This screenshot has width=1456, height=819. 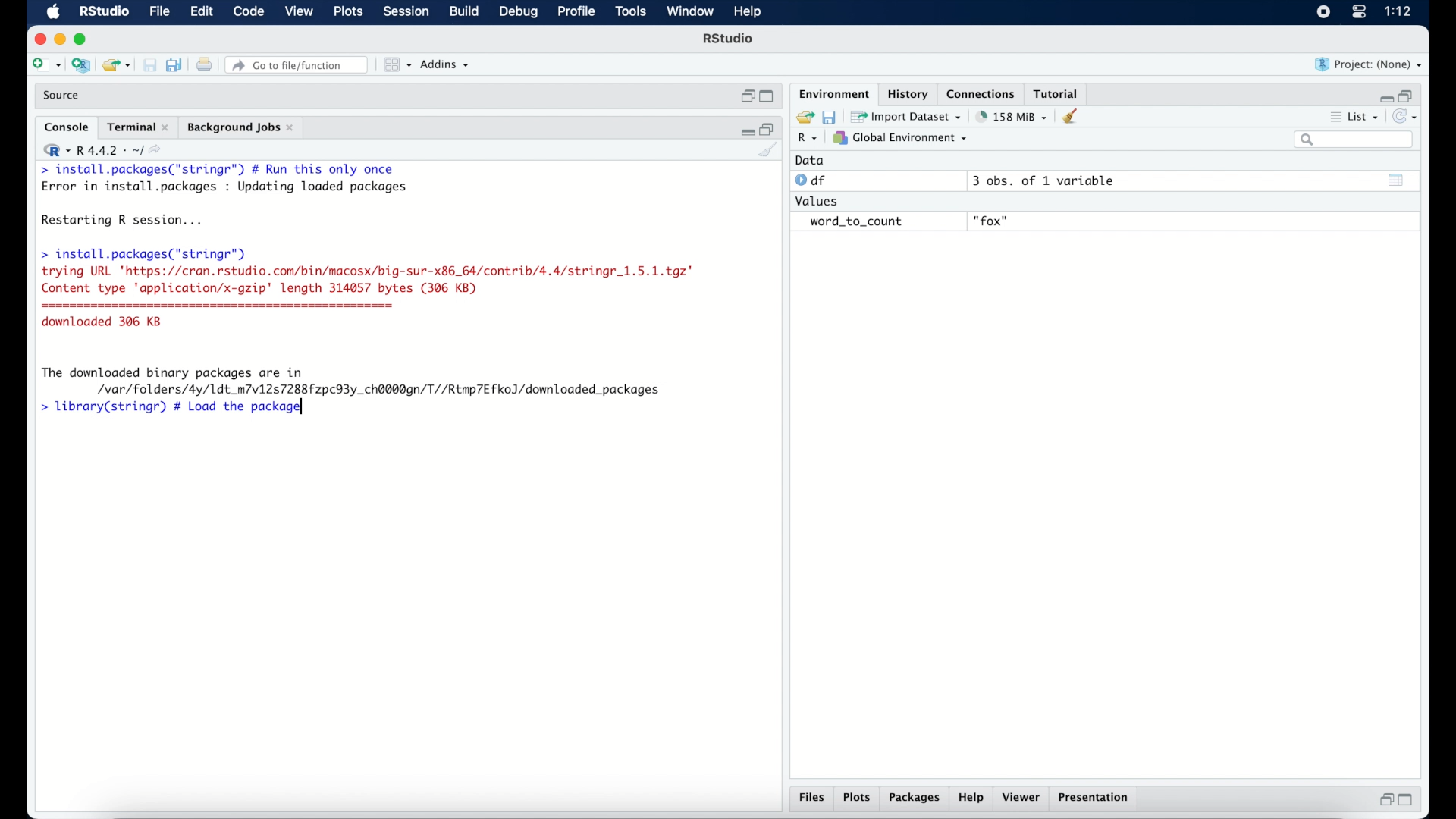 I want to click on environment, so click(x=833, y=93).